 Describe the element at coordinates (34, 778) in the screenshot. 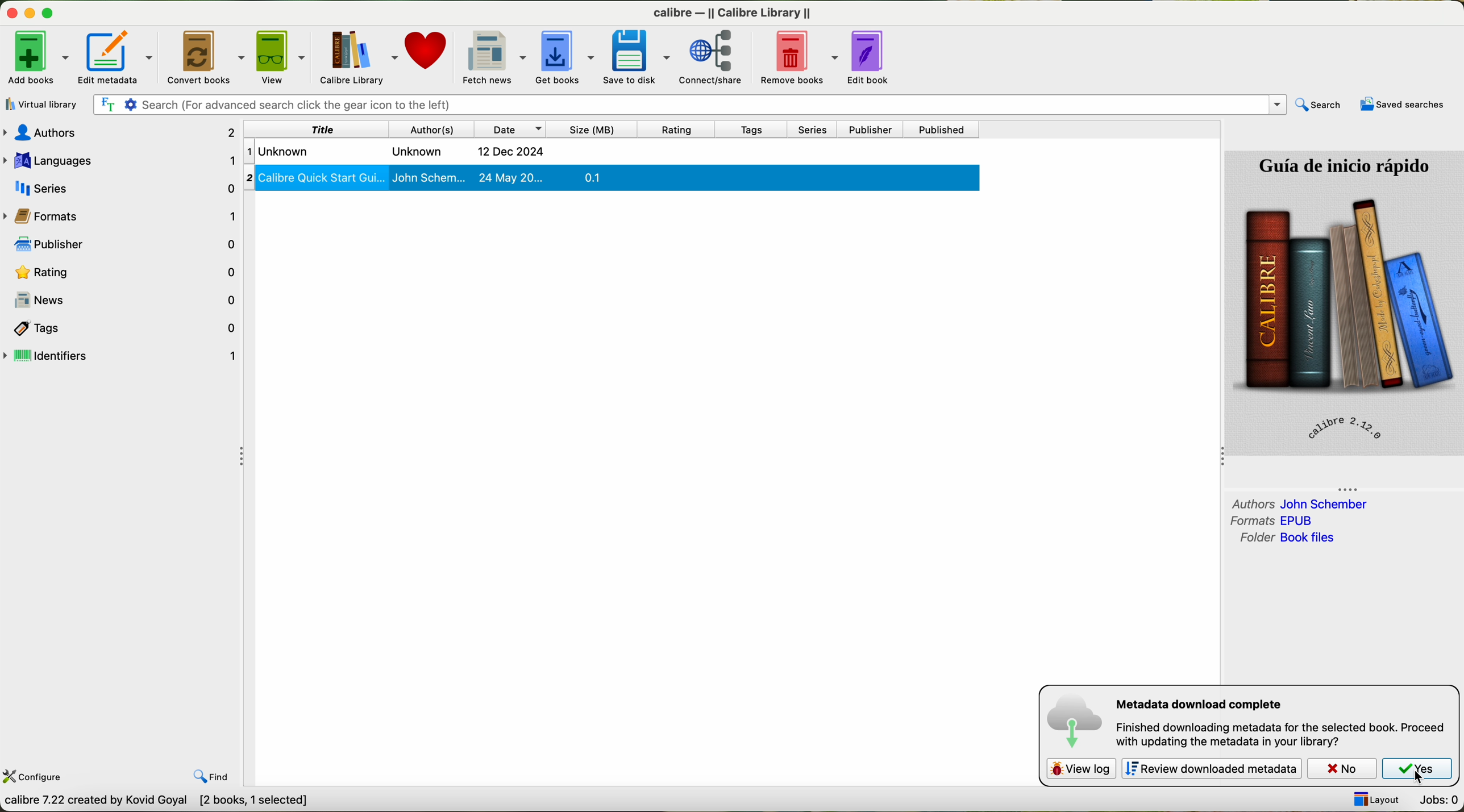

I see `configure` at that location.